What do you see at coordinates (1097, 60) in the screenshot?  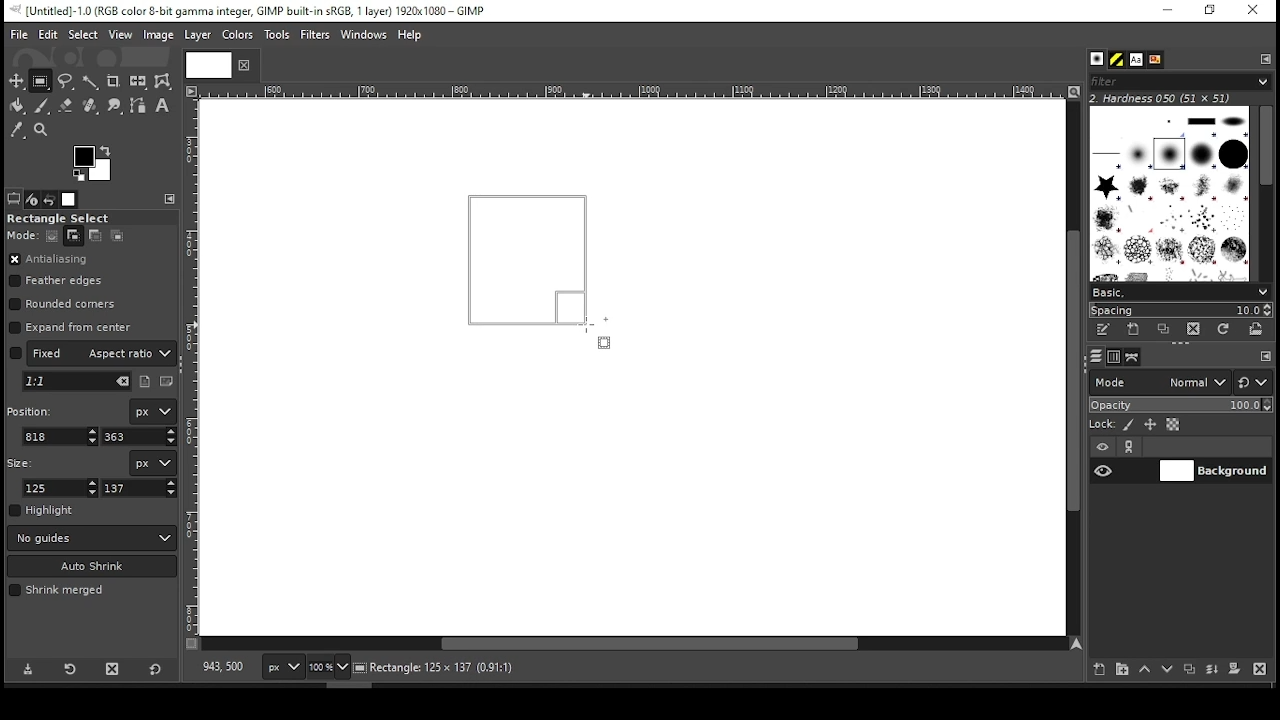 I see `brushes` at bounding box center [1097, 60].